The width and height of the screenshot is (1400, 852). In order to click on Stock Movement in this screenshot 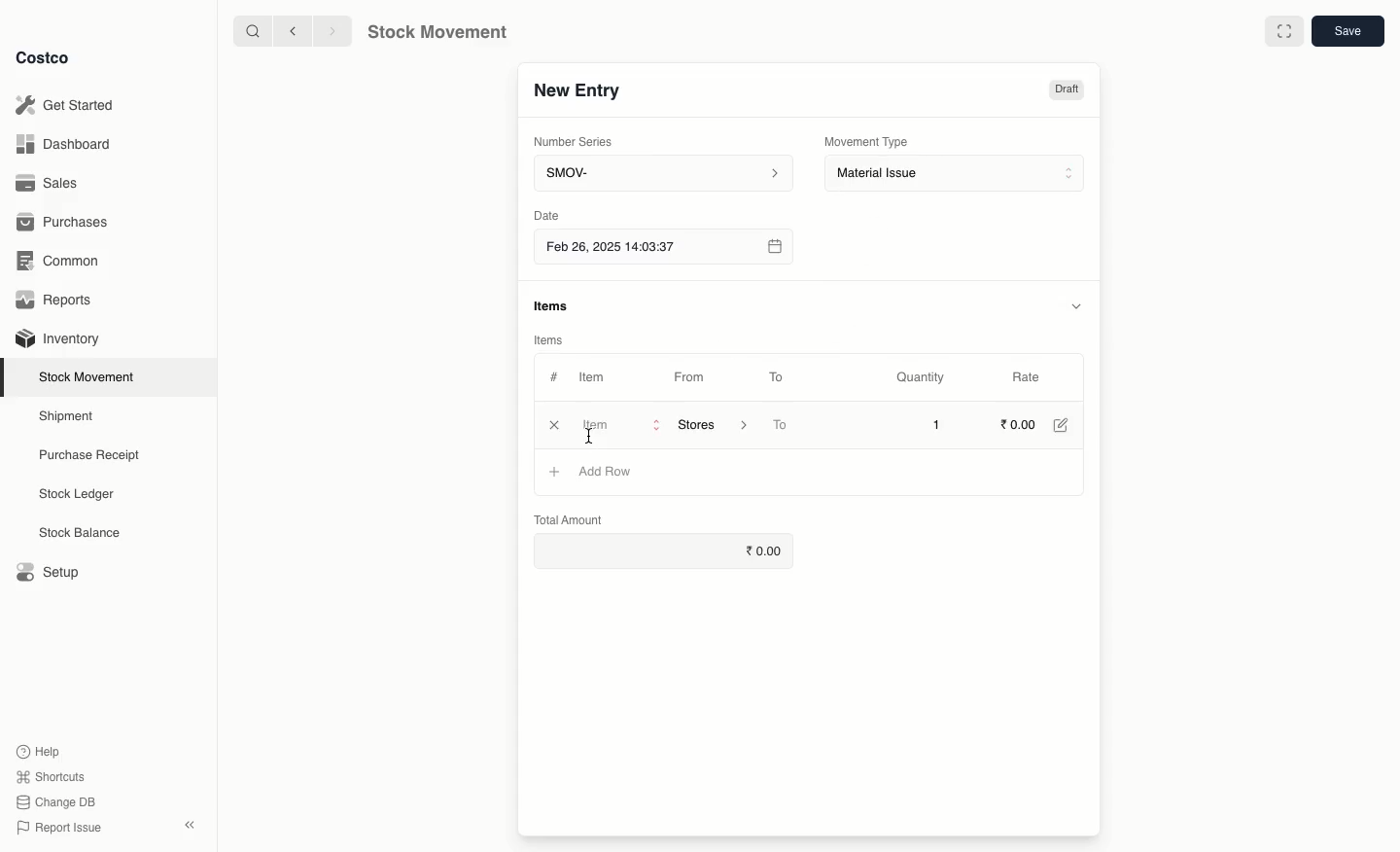, I will do `click(434, 32)`.